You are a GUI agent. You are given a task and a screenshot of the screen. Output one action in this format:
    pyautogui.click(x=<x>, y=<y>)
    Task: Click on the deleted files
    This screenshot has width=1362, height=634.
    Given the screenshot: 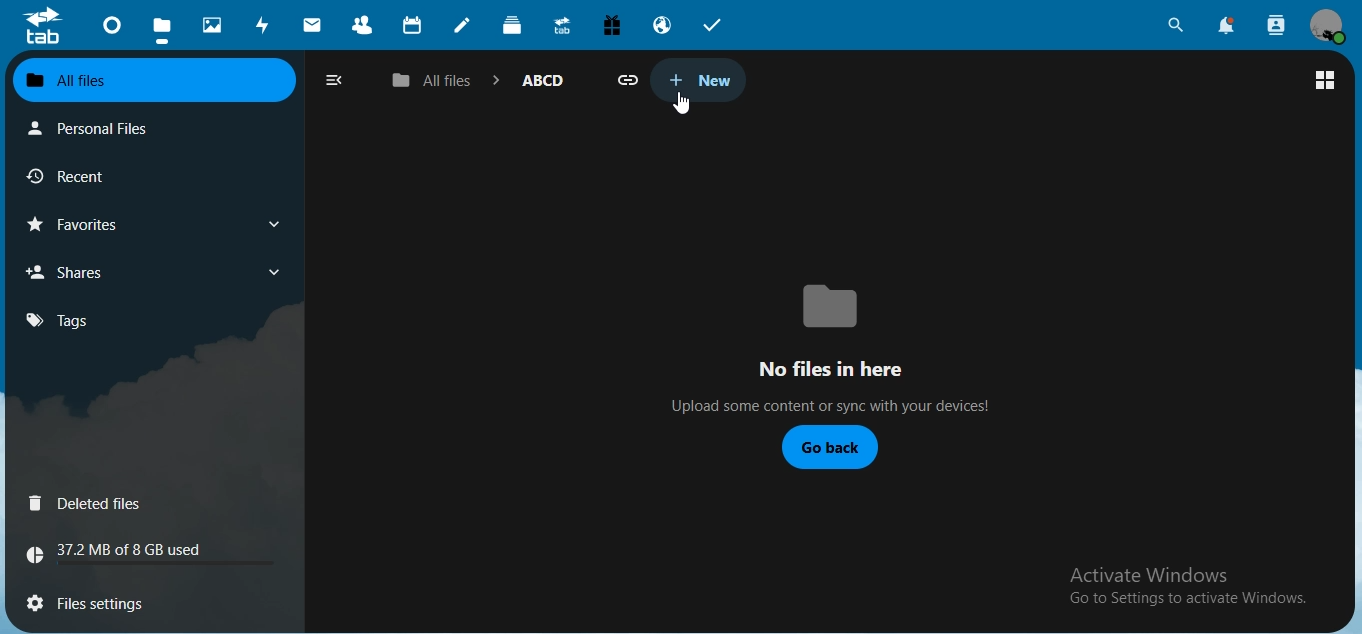 What is the action you would take?
    pyautogui.click(x=89, y=504)
    